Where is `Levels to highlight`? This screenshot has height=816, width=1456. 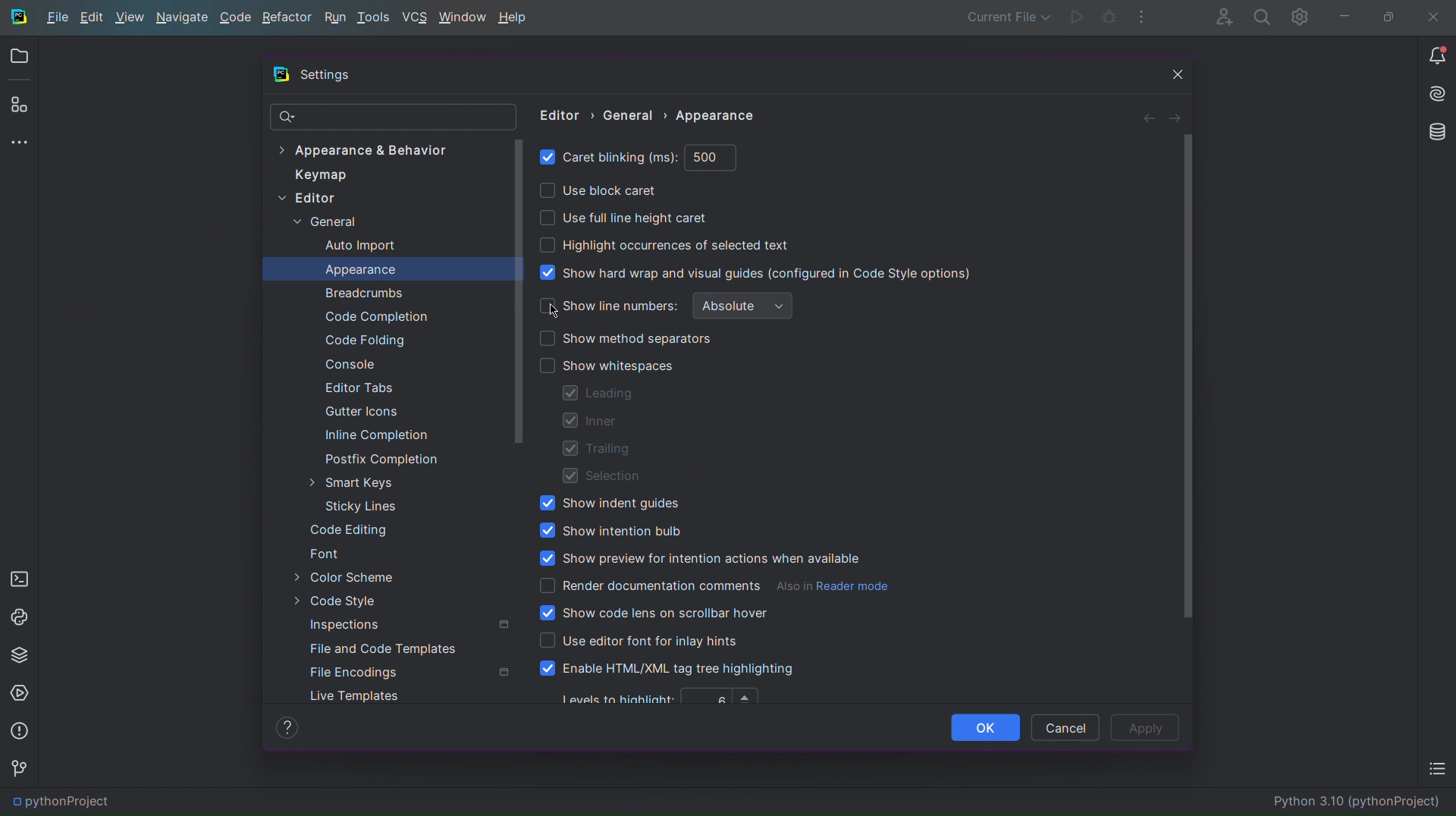 Levels to highlight is located at coordinates (663, 698).